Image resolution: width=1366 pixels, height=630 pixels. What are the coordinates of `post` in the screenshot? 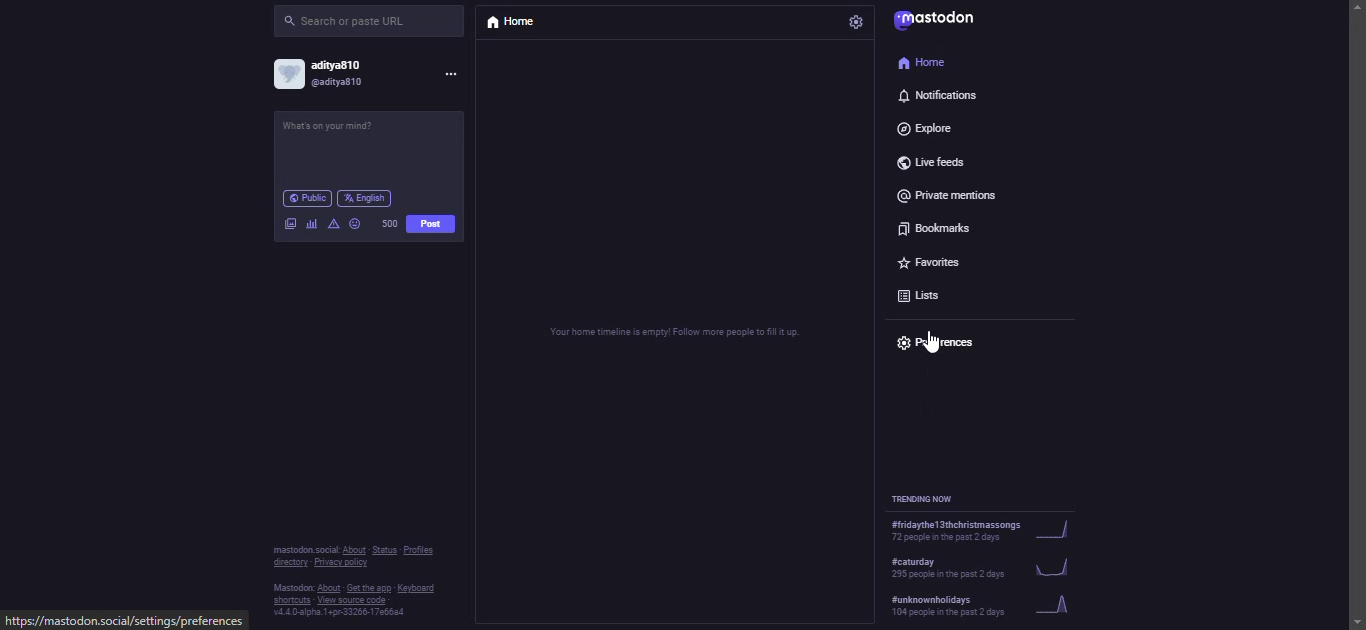 It's located at (331, 129).